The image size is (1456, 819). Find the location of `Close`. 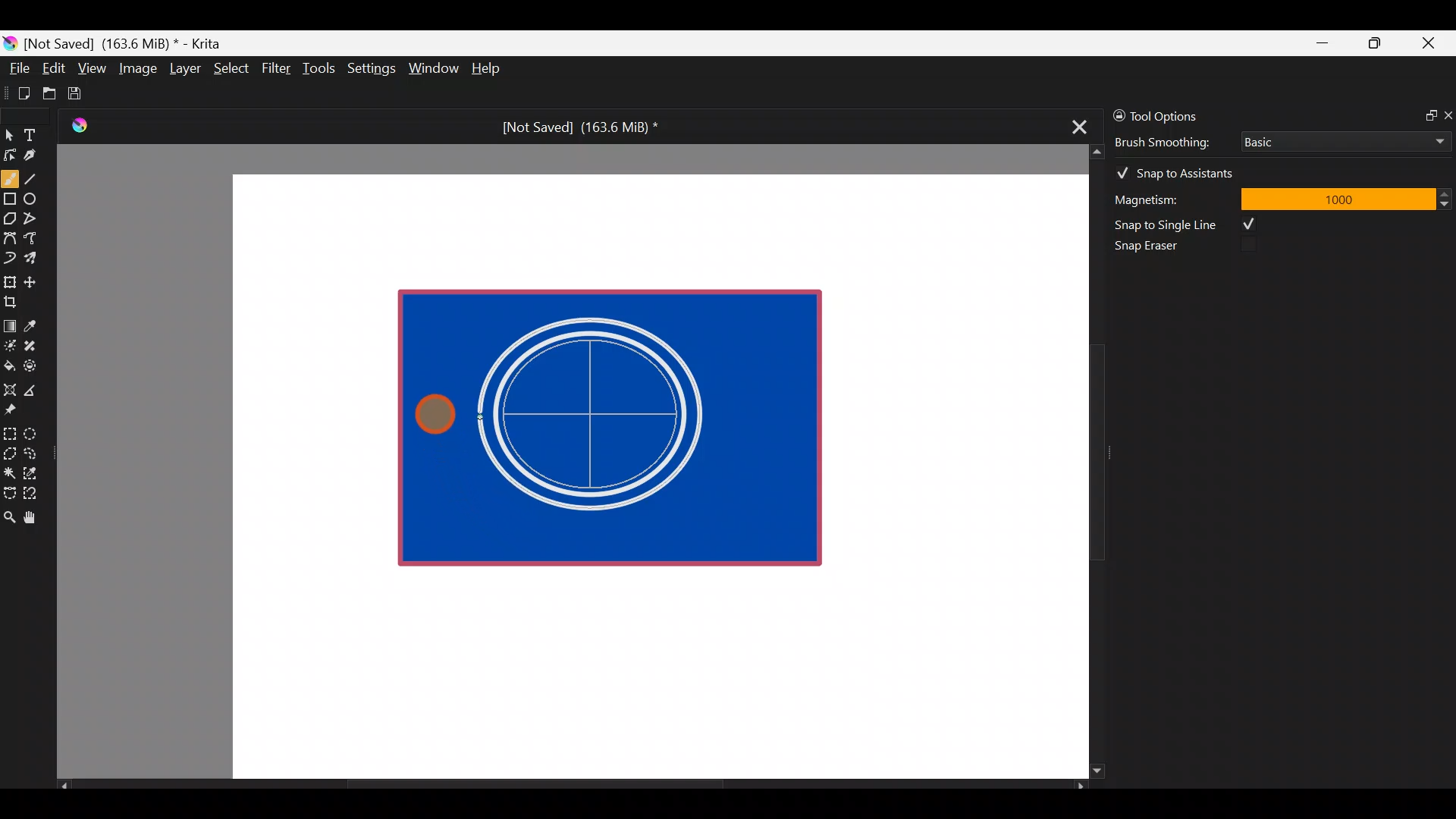

Close is located at coordinates (1429, 46).